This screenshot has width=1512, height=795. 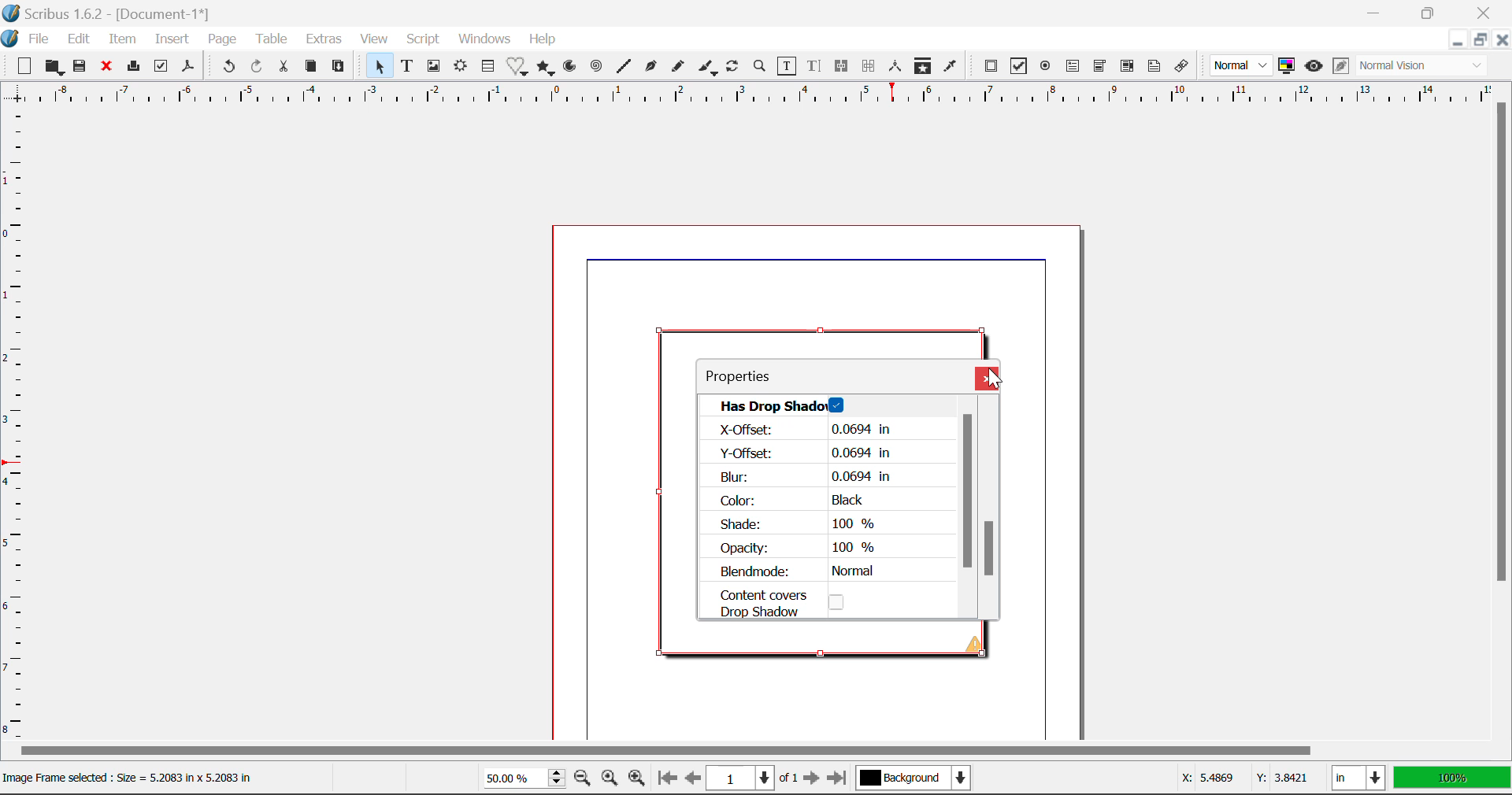 I want to click on Script, so click(x=424, y=38).